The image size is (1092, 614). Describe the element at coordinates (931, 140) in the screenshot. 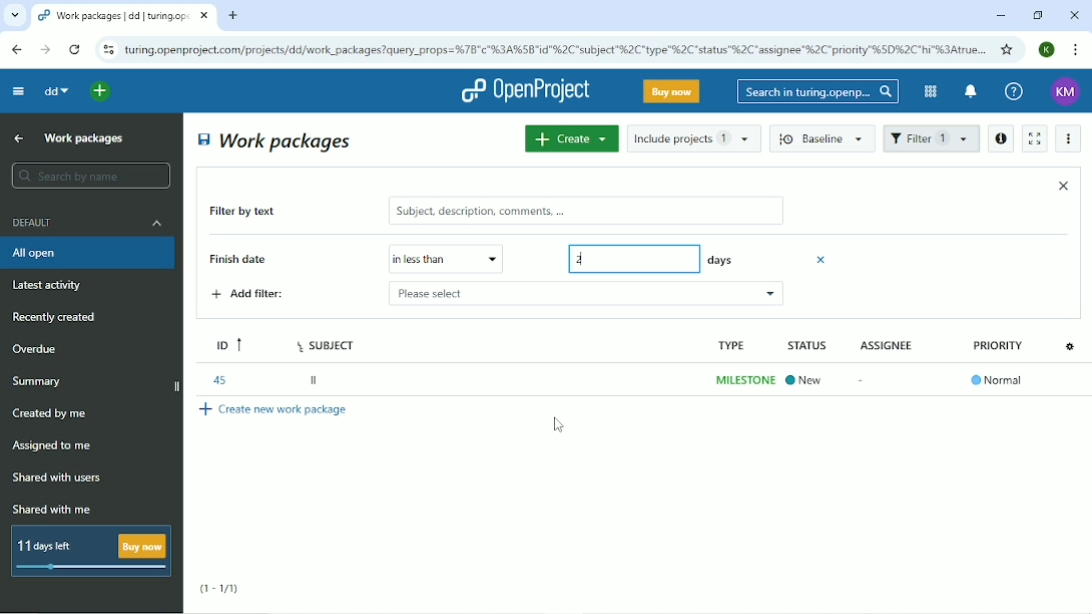

I see `Filter 1` at that location.